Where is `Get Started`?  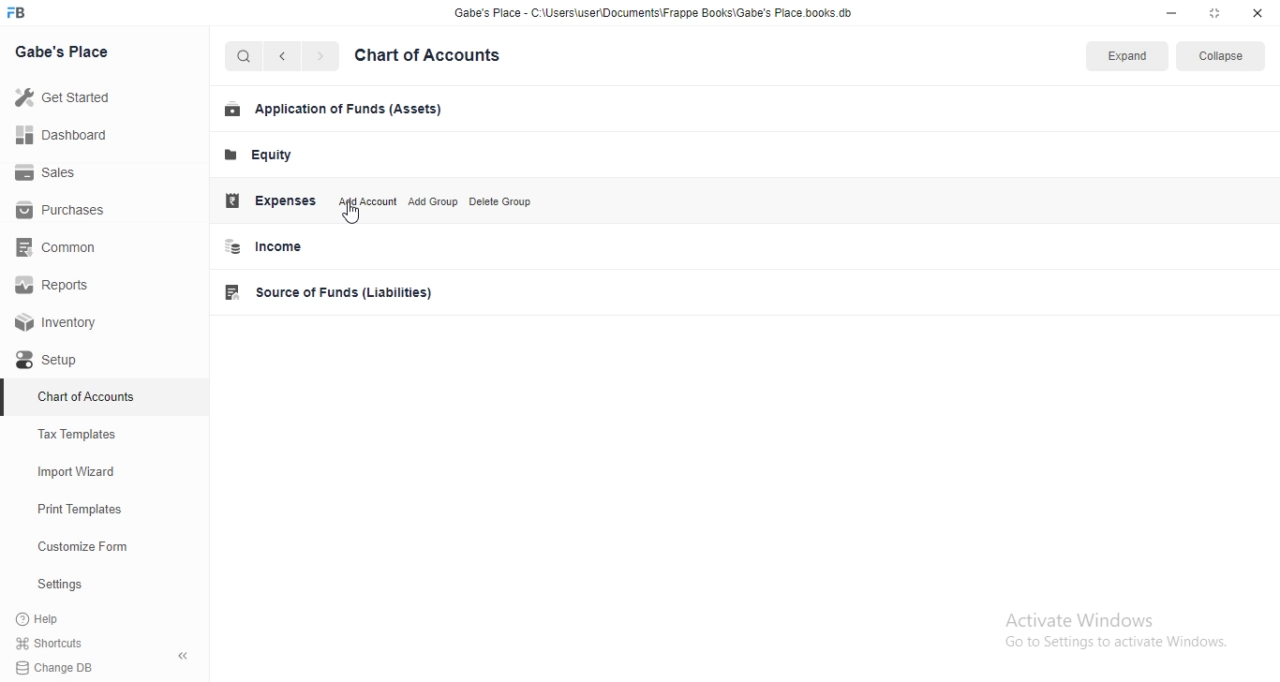 Get Started is located at coordinates (69, 96).